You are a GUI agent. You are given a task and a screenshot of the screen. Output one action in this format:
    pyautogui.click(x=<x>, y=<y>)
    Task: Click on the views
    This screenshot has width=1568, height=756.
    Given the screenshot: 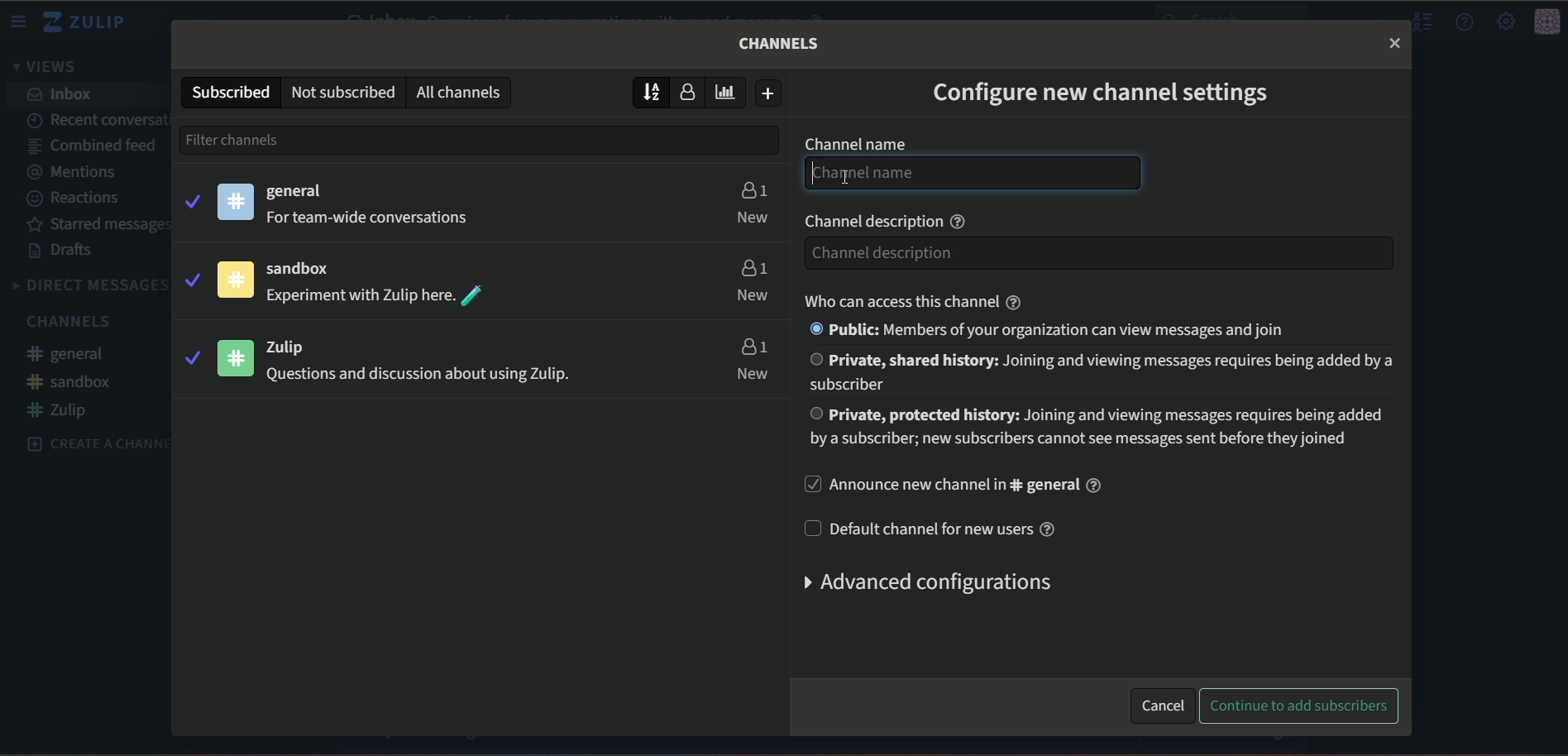 What is the action you would take?
    pyautogui.click(x=50, y=68)
    